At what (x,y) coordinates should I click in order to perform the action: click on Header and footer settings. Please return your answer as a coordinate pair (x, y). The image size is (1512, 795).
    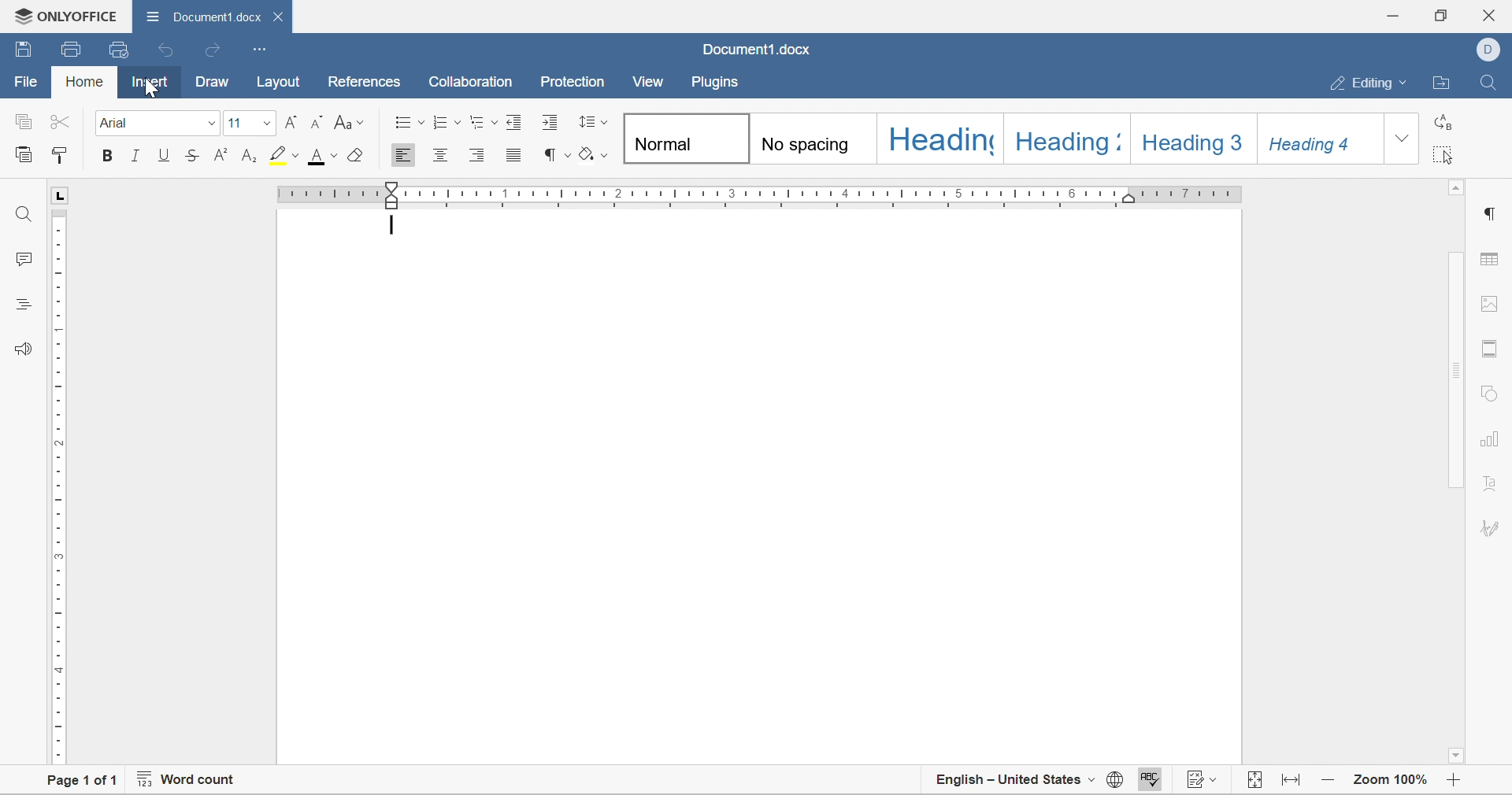
    Looking at the image, I should click on (1492, 350).